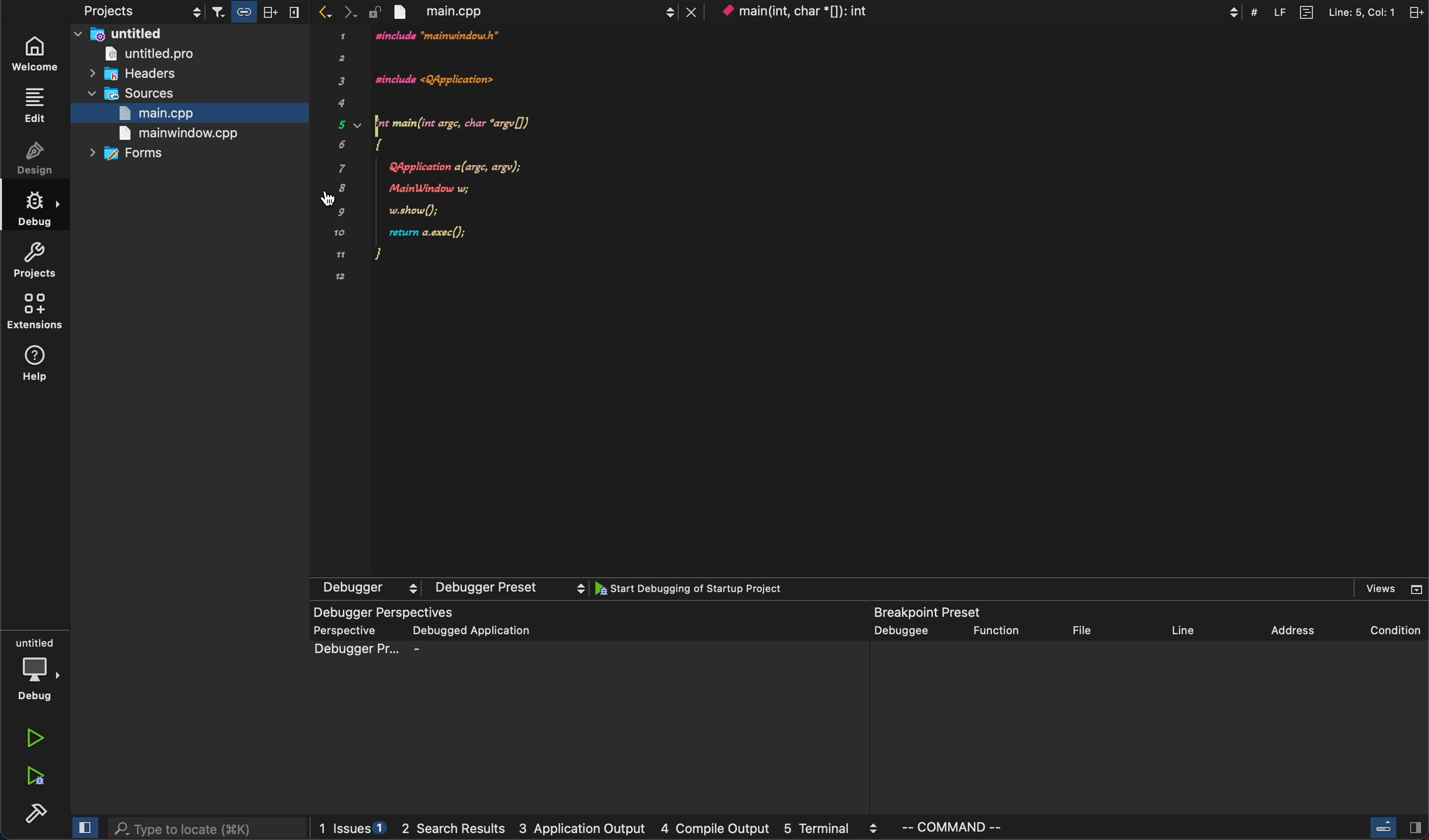 The height and width of the screenshot is (840, 1429). What do you see at coordinates (146, 74) in the screenshot?
I see `headers` at bounding box center [146, 74].